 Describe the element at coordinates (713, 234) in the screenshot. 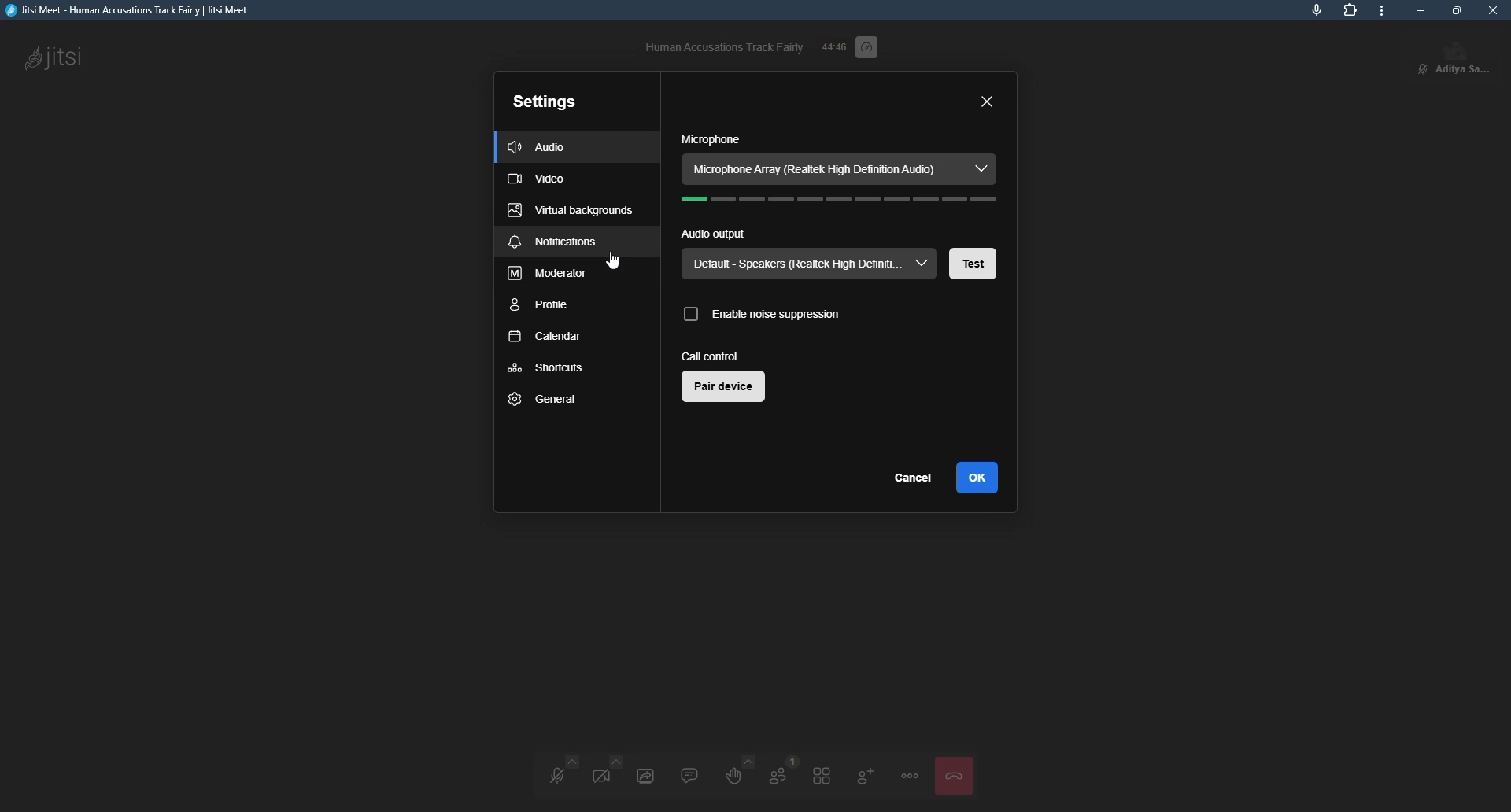

I see `audio output` at that location.